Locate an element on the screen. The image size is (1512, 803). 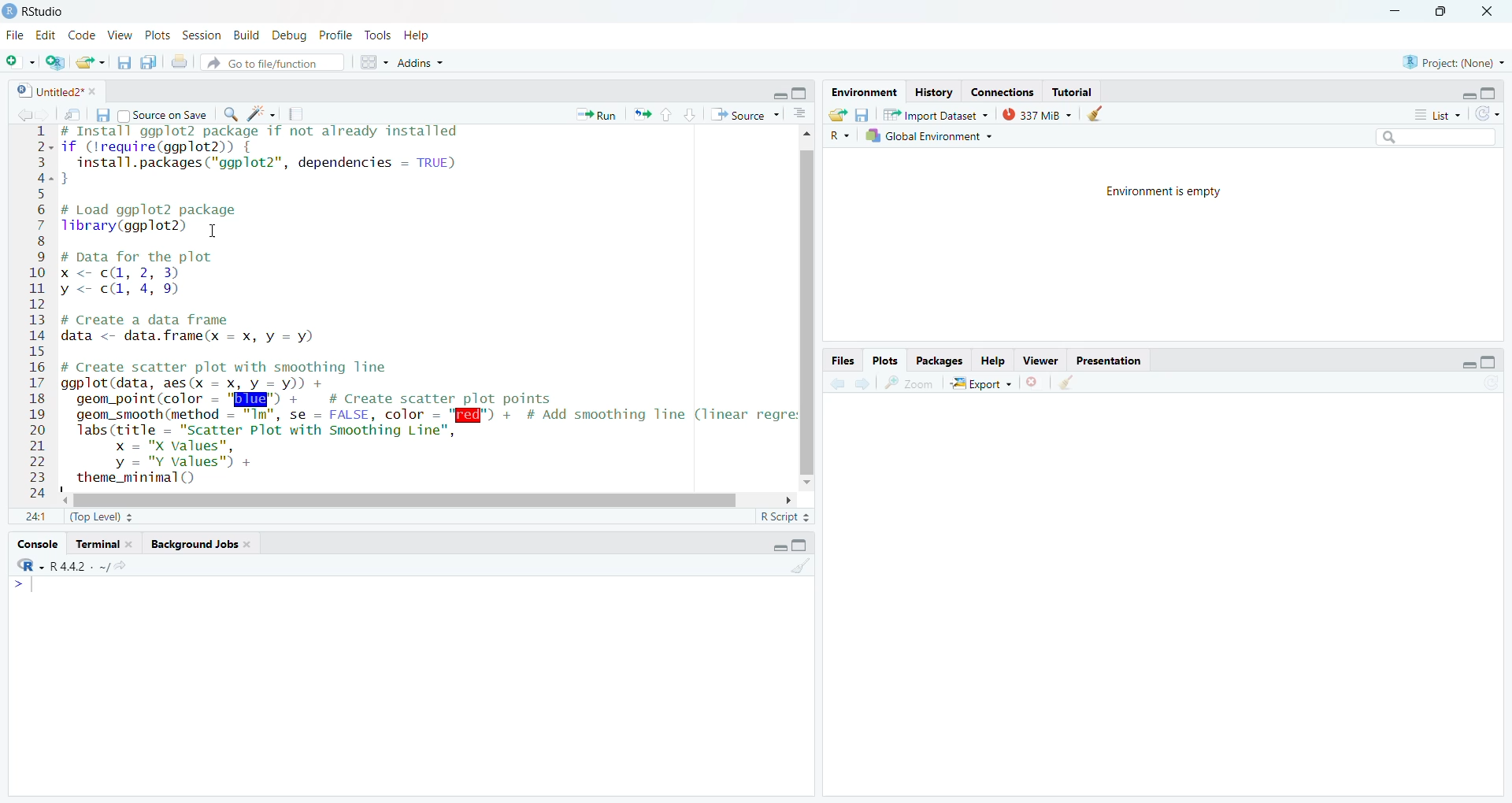
clear current plot is located at coordinates (1036, 383).